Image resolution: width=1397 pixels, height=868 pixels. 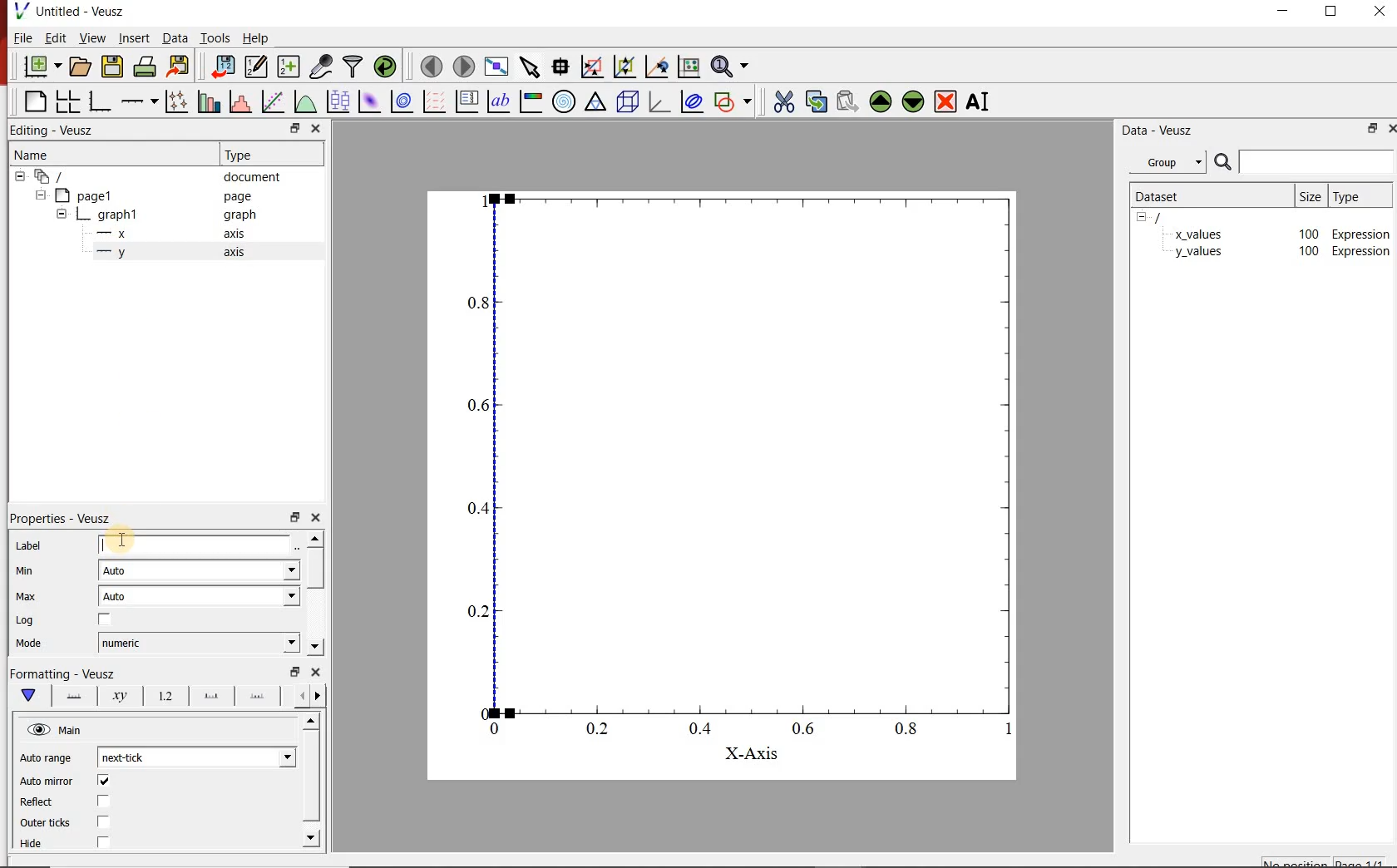 What do you see at coordinates (1316, 161) in the screenshot?
I see `input search` at bounding box center [1316, 161].